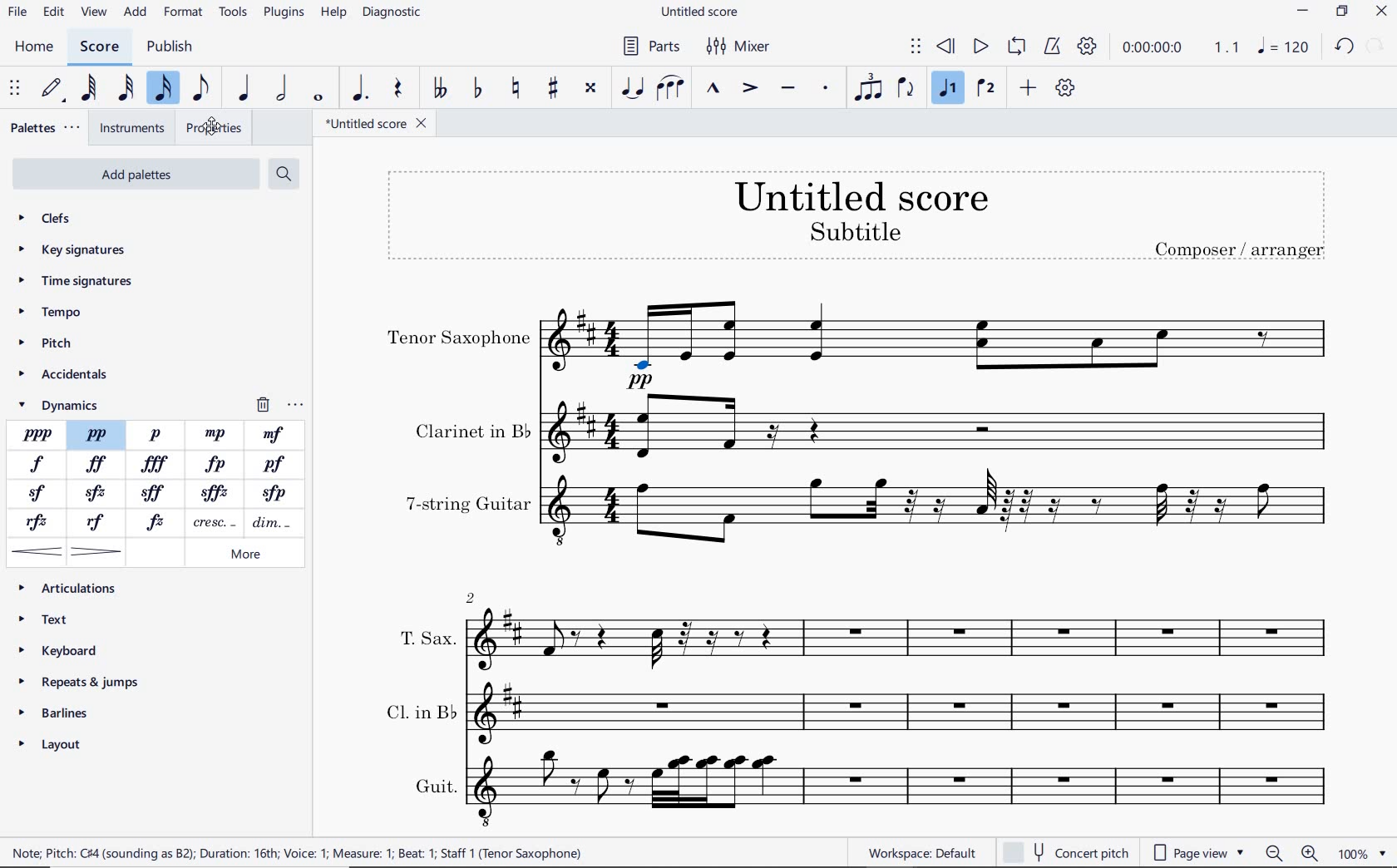 Image resolution: width=1397 pixels, height=868 pixels. What do you see at coordinates (44, 127) in the screenshot?
I see `palettes` at bounding box center [44, 127].